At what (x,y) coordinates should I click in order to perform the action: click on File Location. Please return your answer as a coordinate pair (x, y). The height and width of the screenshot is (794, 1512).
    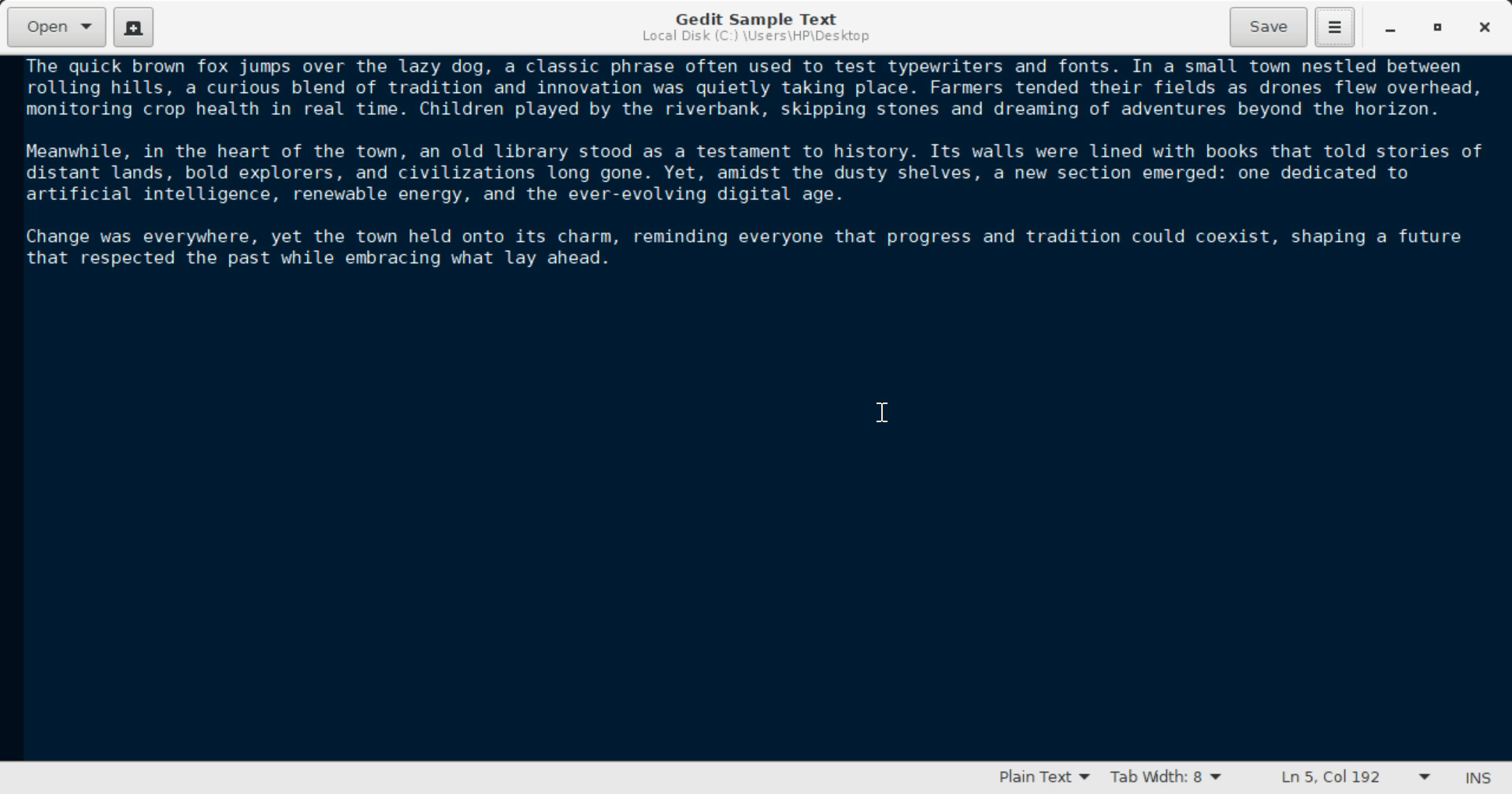
    Looking at the image, I should click on (754, 39).